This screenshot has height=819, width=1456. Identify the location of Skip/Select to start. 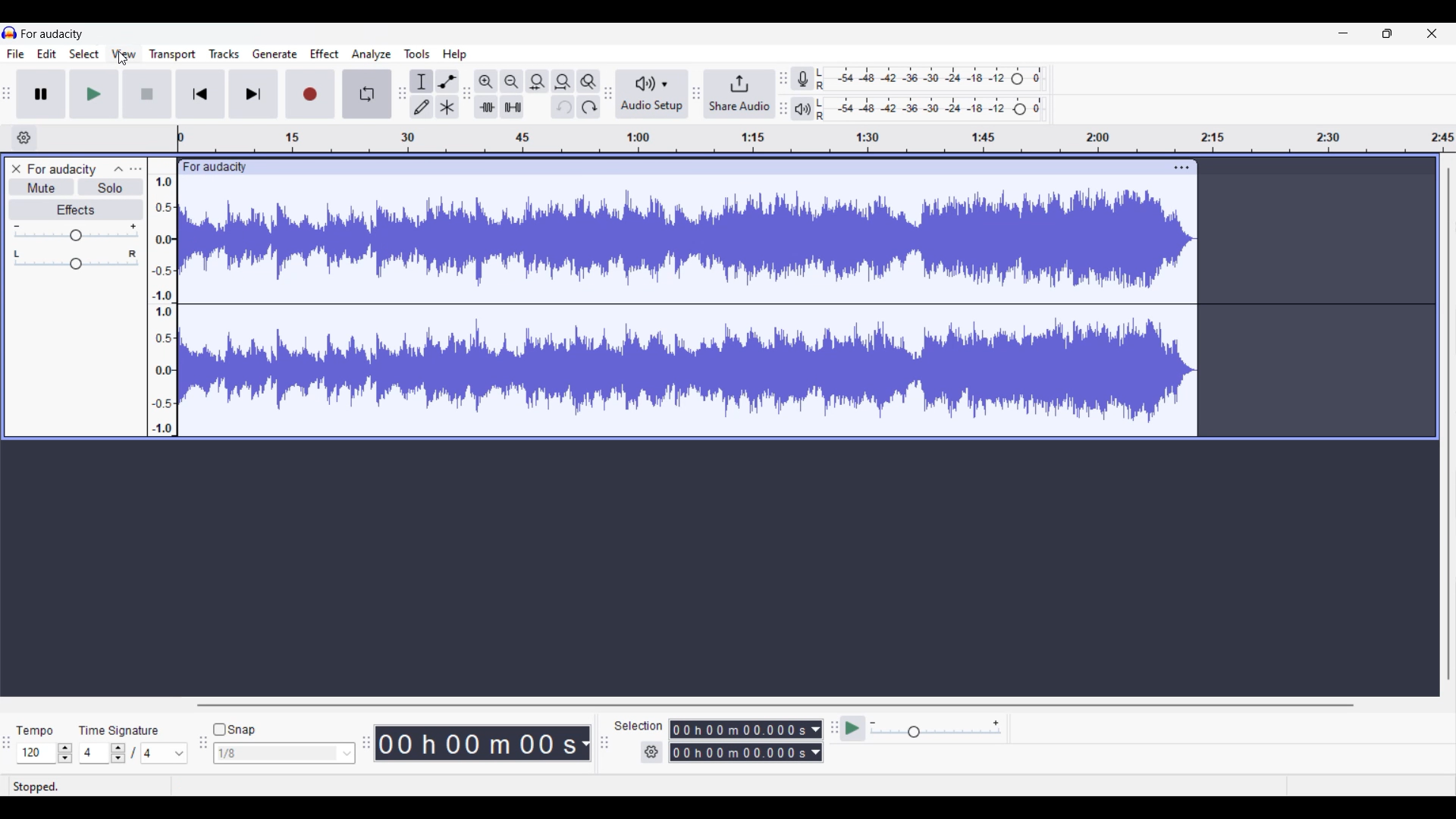
(201, 94).